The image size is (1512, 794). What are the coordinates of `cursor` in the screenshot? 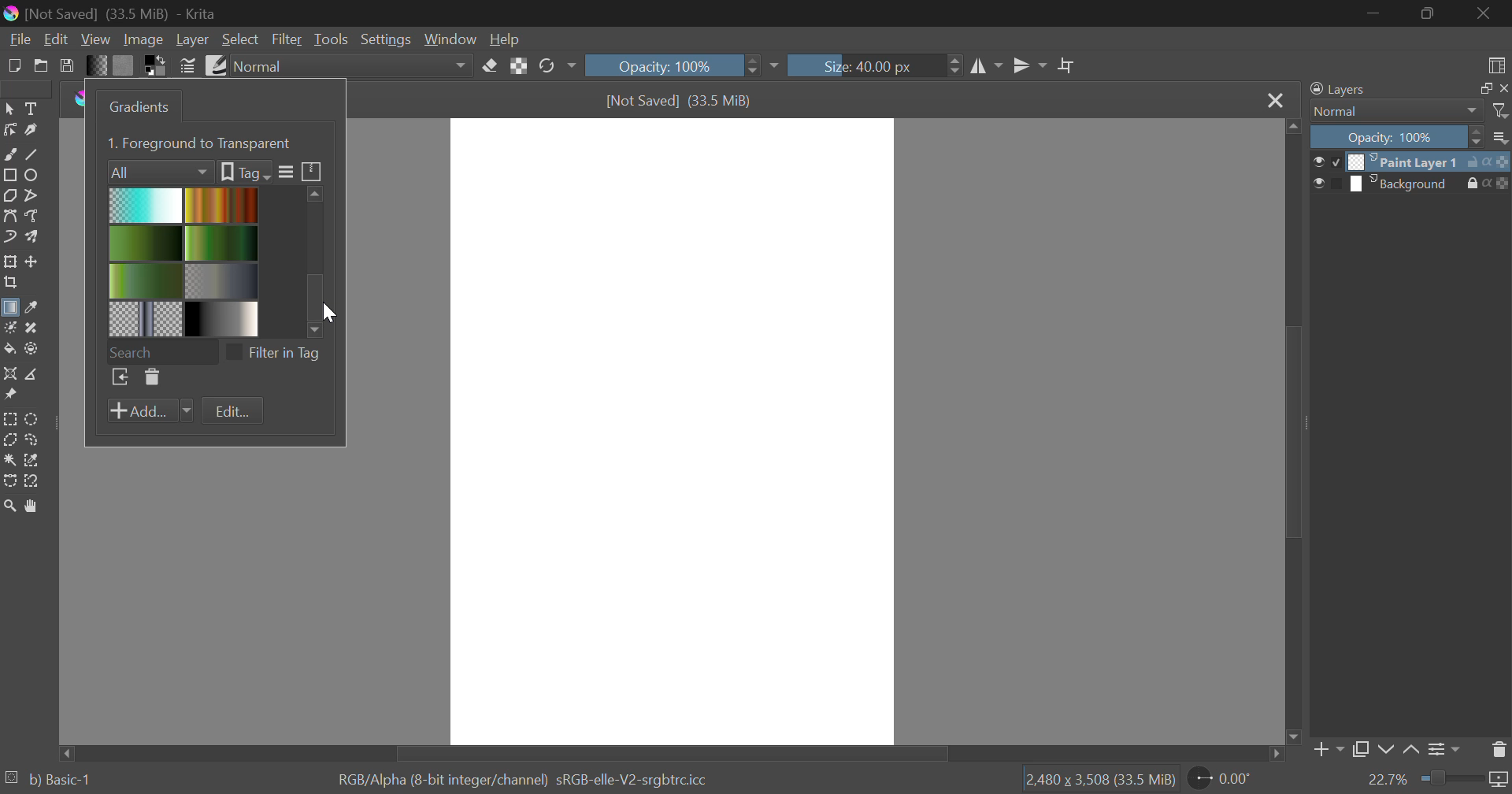 It's located at (332, 311).